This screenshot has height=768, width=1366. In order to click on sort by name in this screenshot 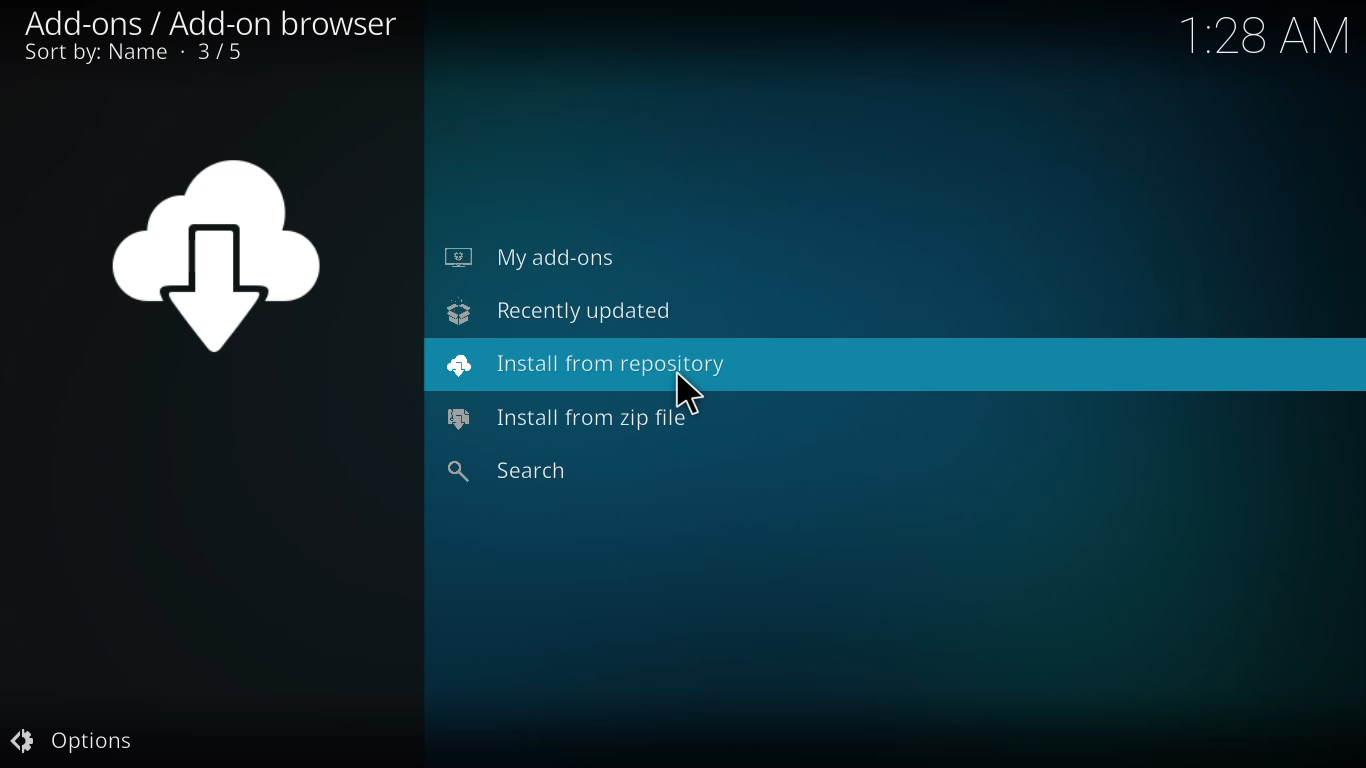, I will do `click(130, 55)`.